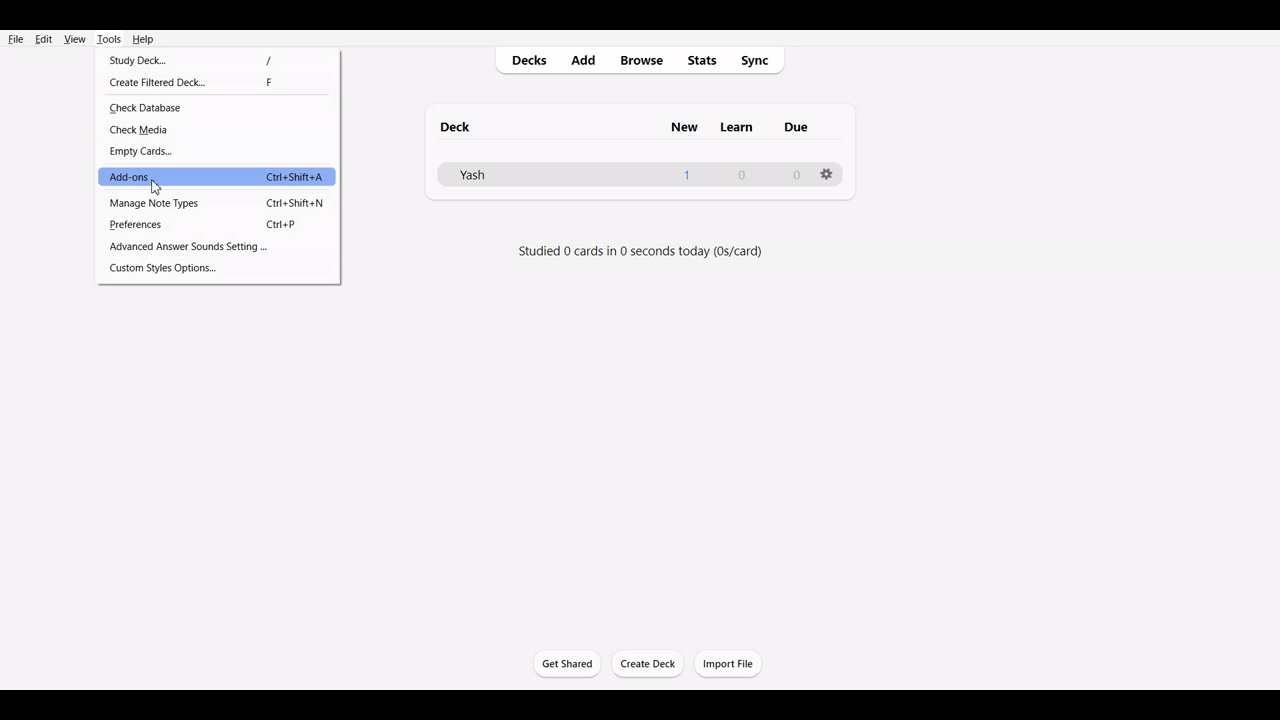 The width and height of the screenshot is (1280, 720). I want to click on cursor, so click(154, 188).